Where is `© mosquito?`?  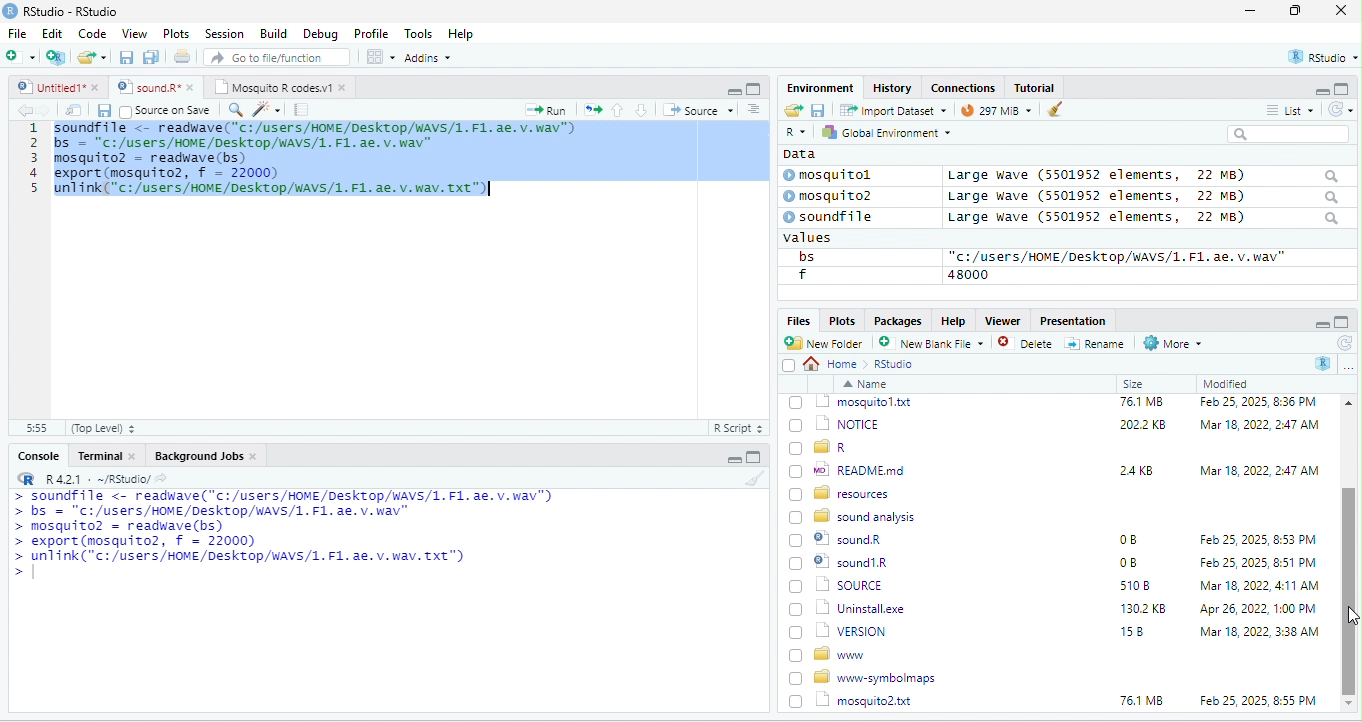
© mosquito? is located at coordinates (834, 194).